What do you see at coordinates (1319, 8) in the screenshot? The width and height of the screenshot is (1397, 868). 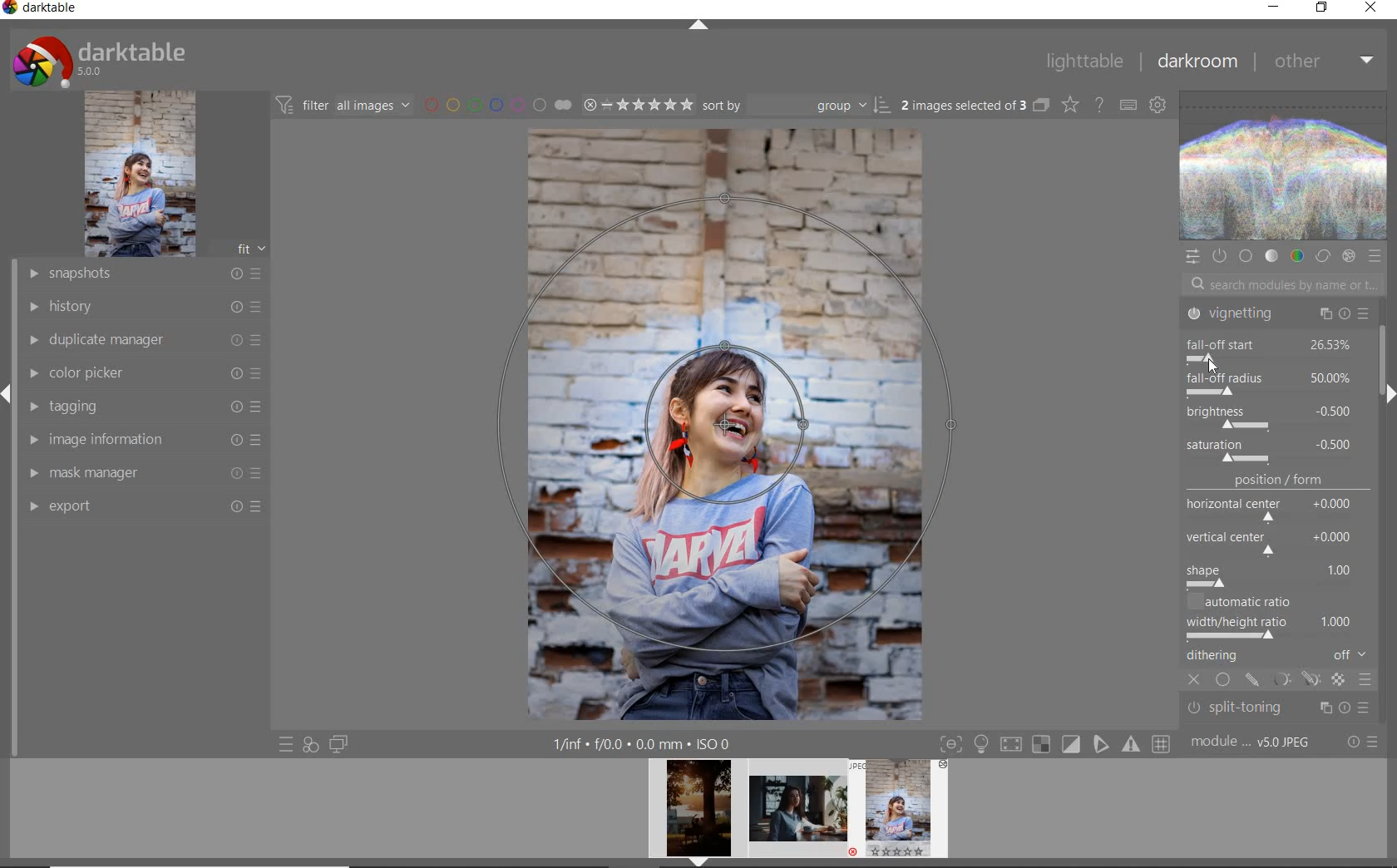 I see `RSTORE` at bounding box center [1319, 8].